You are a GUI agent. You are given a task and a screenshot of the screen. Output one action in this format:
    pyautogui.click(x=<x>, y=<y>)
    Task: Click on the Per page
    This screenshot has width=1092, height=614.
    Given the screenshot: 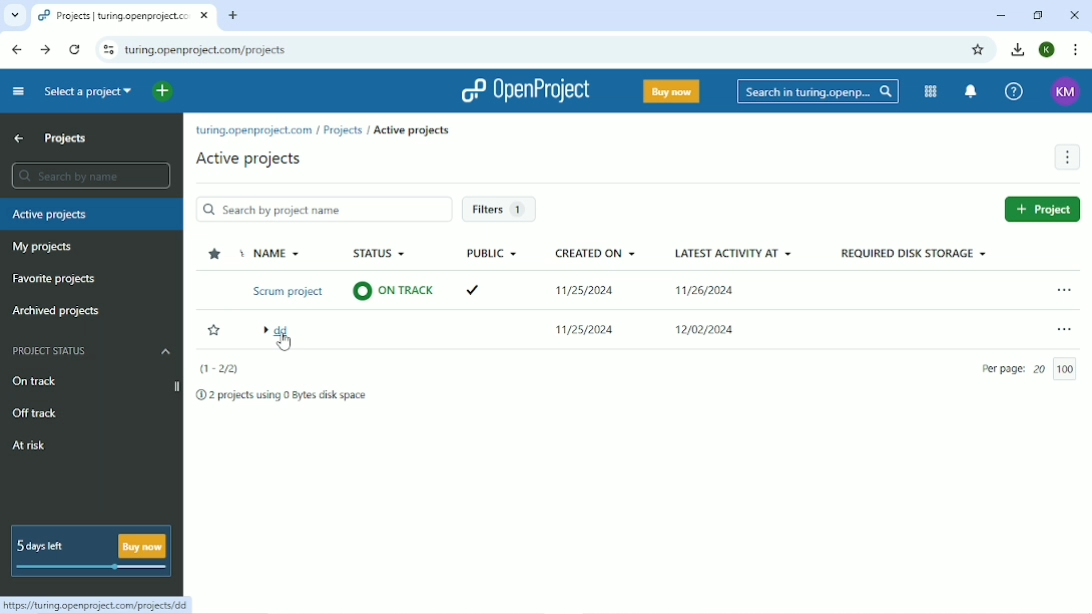 What is the action you would take?
    pyautogui.click(x=1029, y=369)
    